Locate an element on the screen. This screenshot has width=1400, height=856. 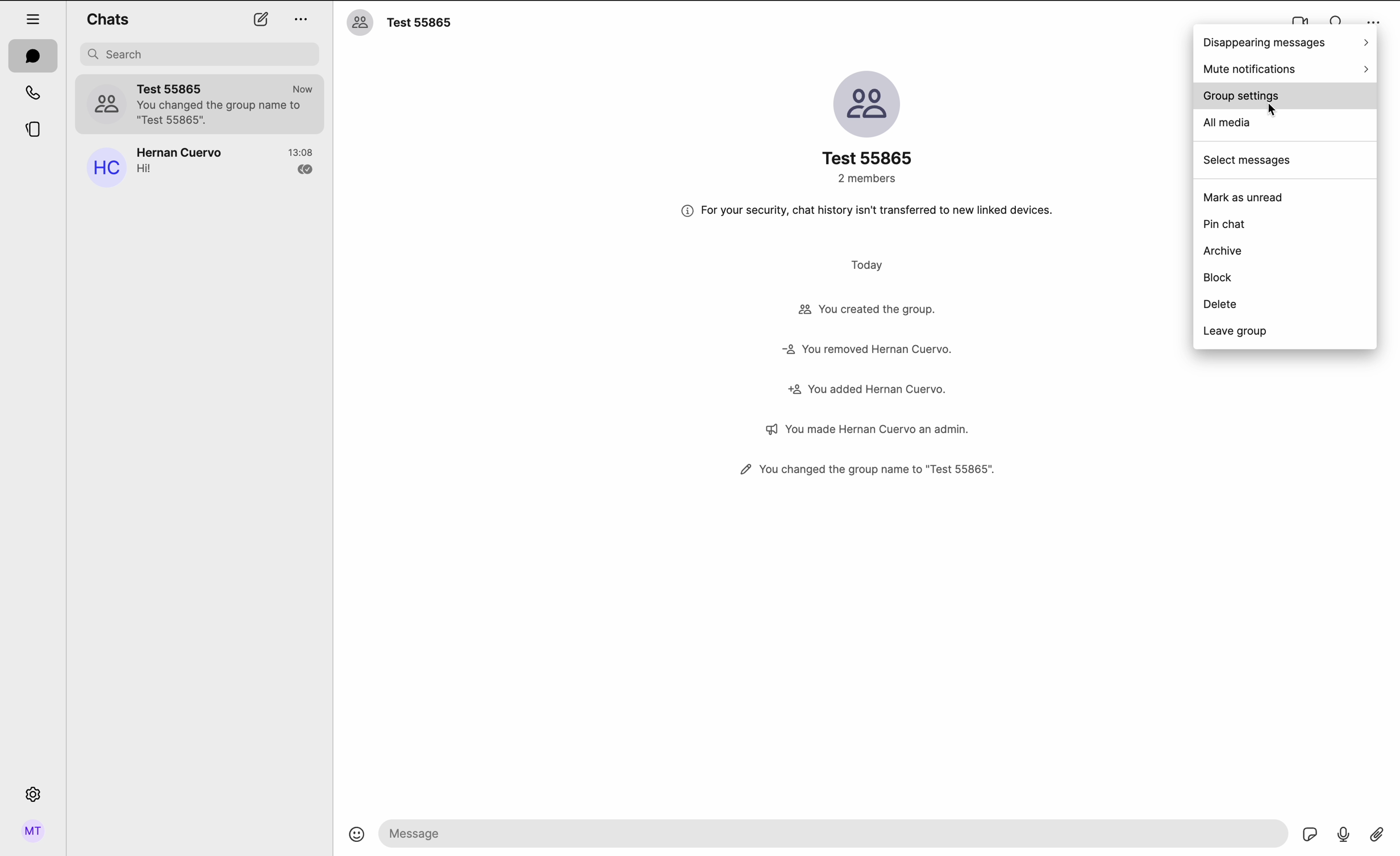
archive is located at coordinates (1226, 251).